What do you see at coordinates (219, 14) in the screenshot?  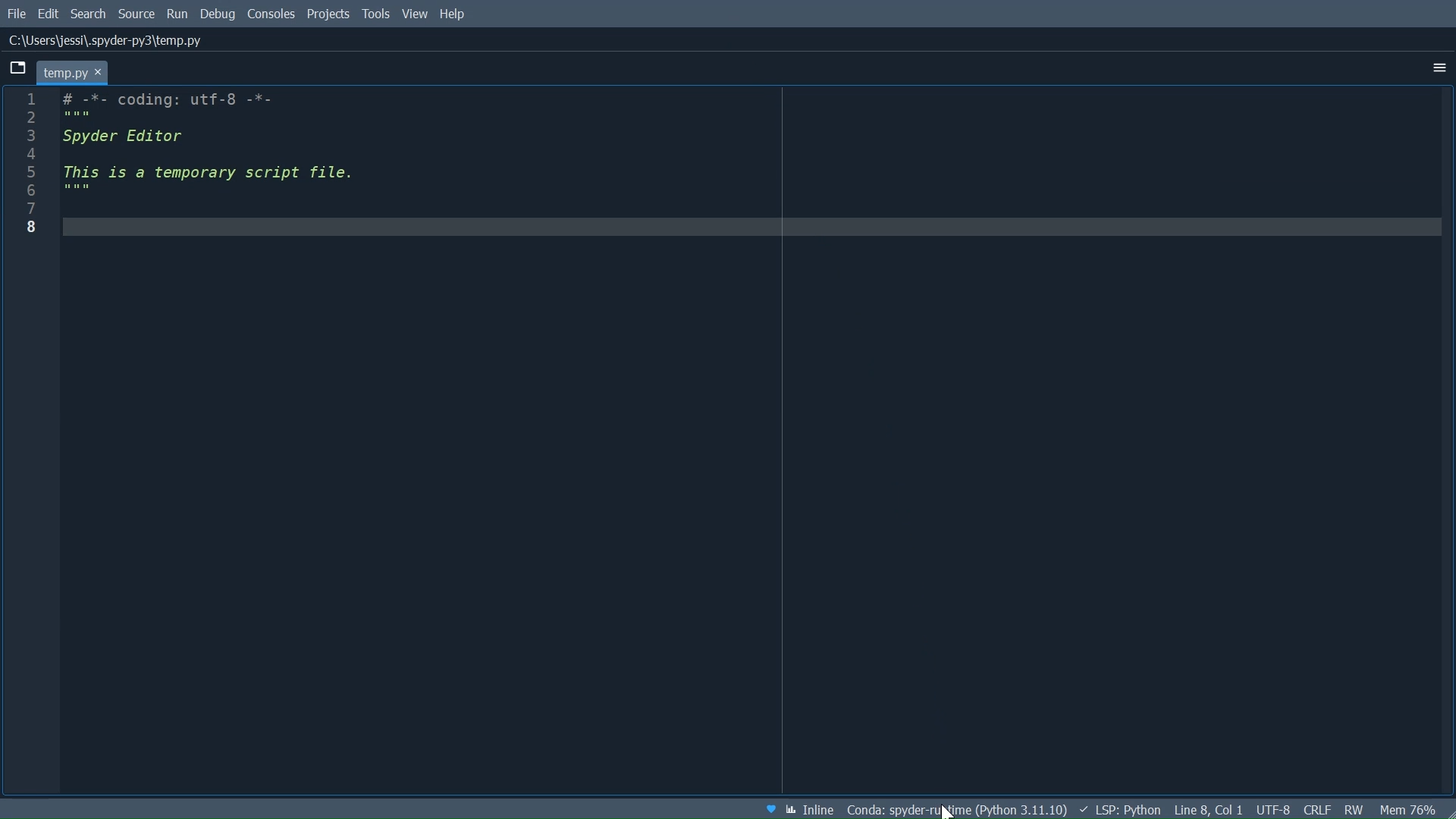 I see `Debug` at bounding box center [219, 14].